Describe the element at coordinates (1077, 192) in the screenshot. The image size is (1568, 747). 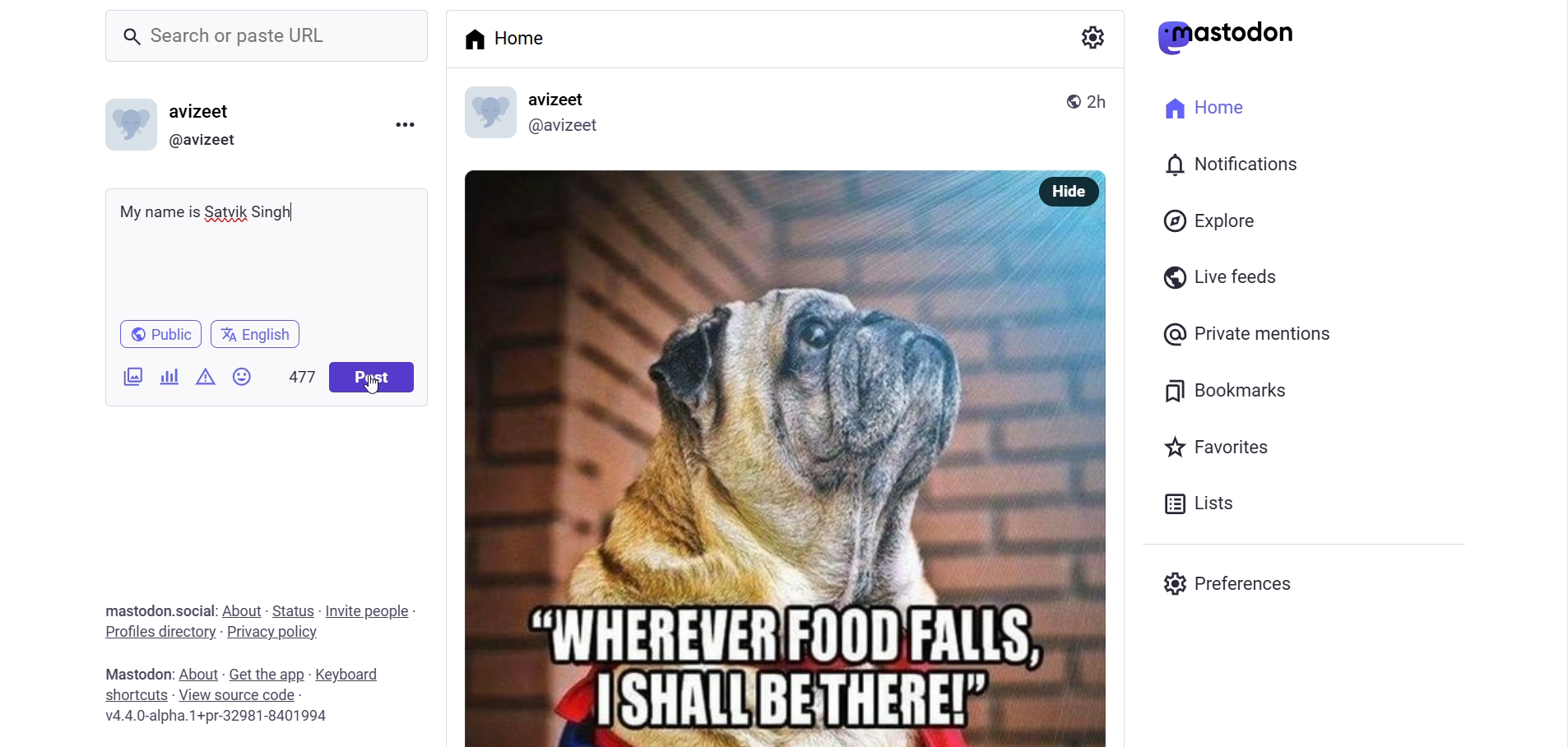
I see `Hide ` at that location.